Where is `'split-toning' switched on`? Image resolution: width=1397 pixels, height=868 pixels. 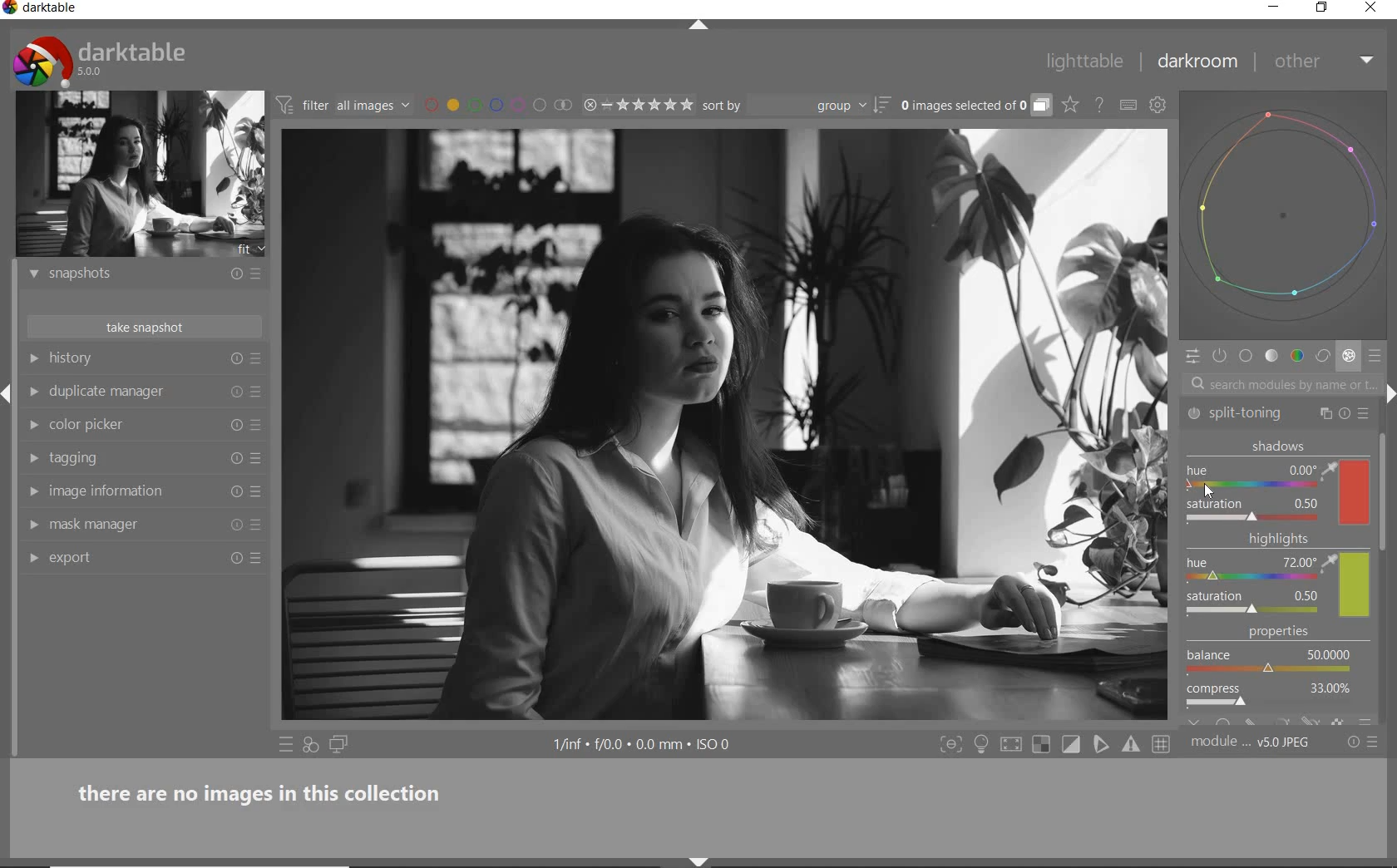
'split-toning' switched on is located at coordinates (1197, 413).